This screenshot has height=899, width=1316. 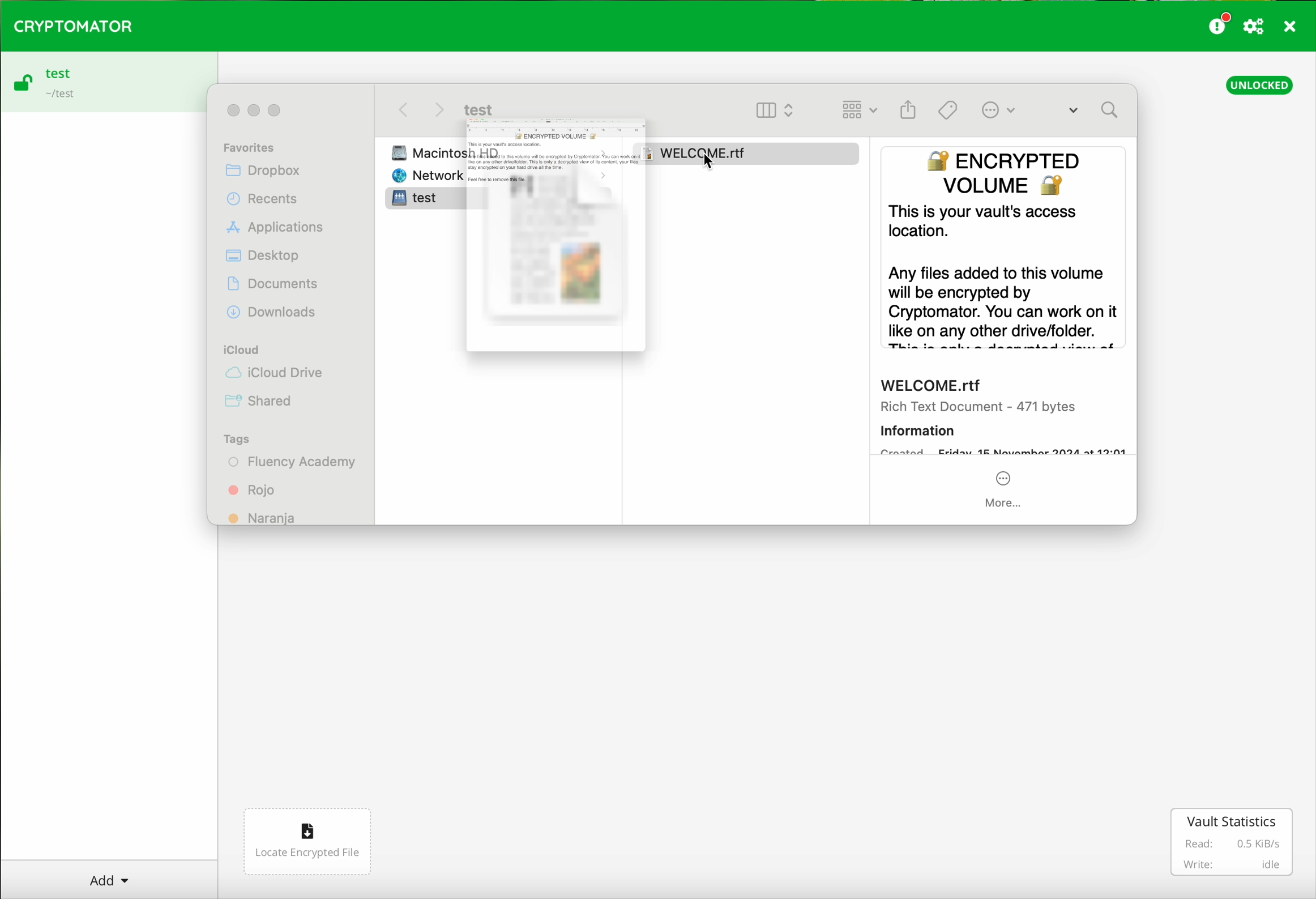 I want to click on Control buttons, so click(x=259, y=105).